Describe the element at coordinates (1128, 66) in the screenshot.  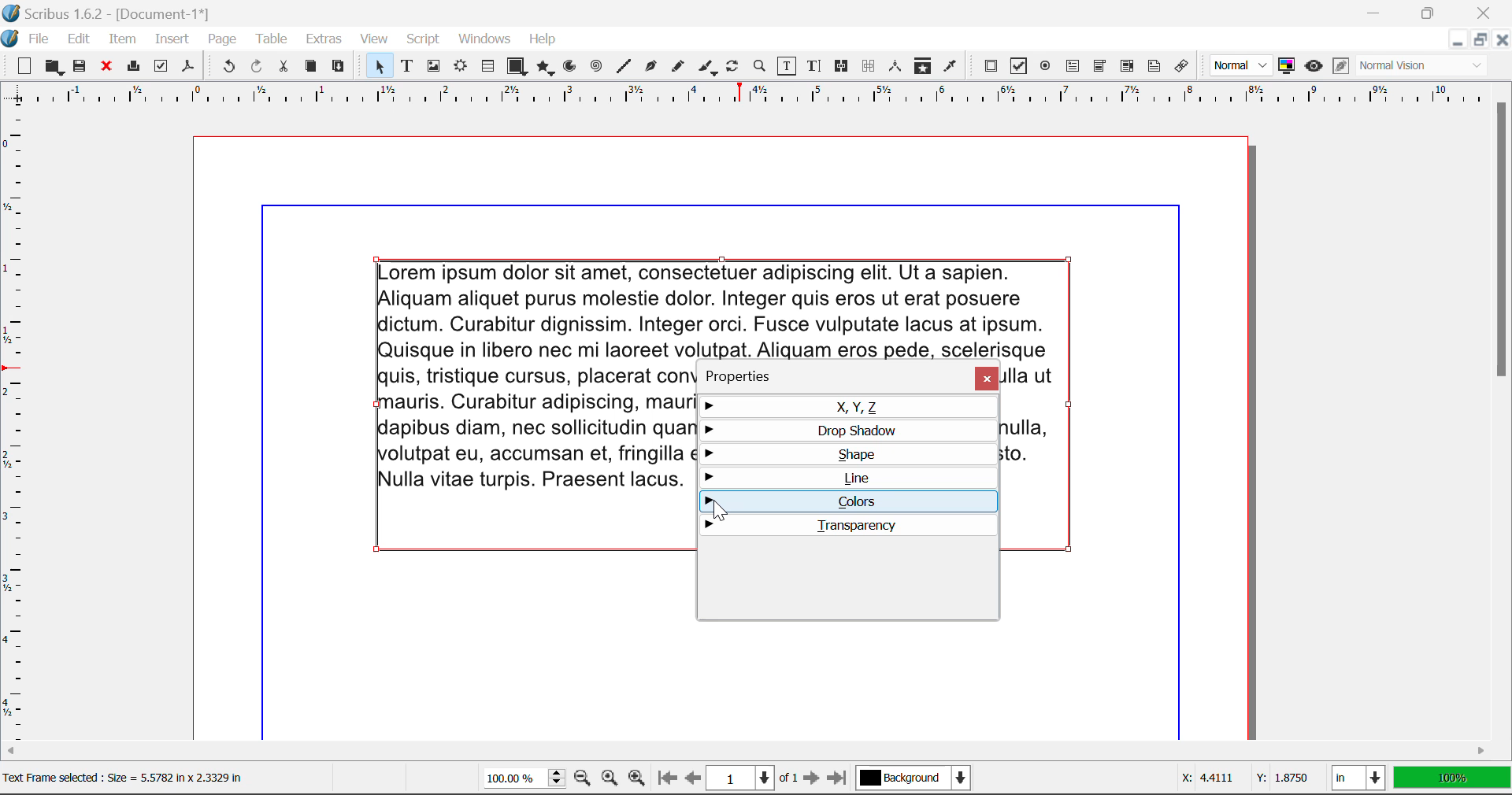
I see `PDF List Box` at that location.